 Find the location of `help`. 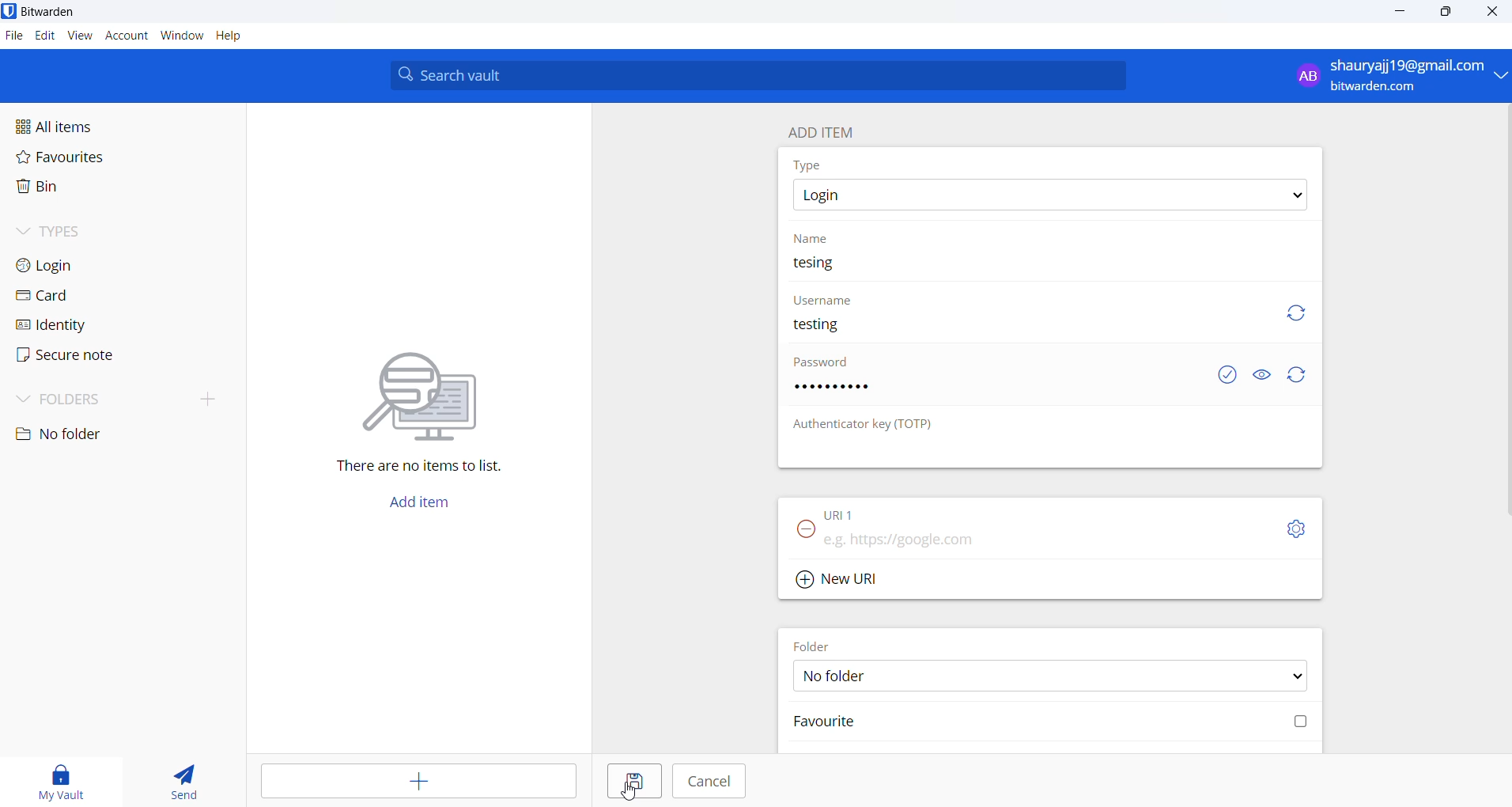

help is located at coordinates (239, 36).